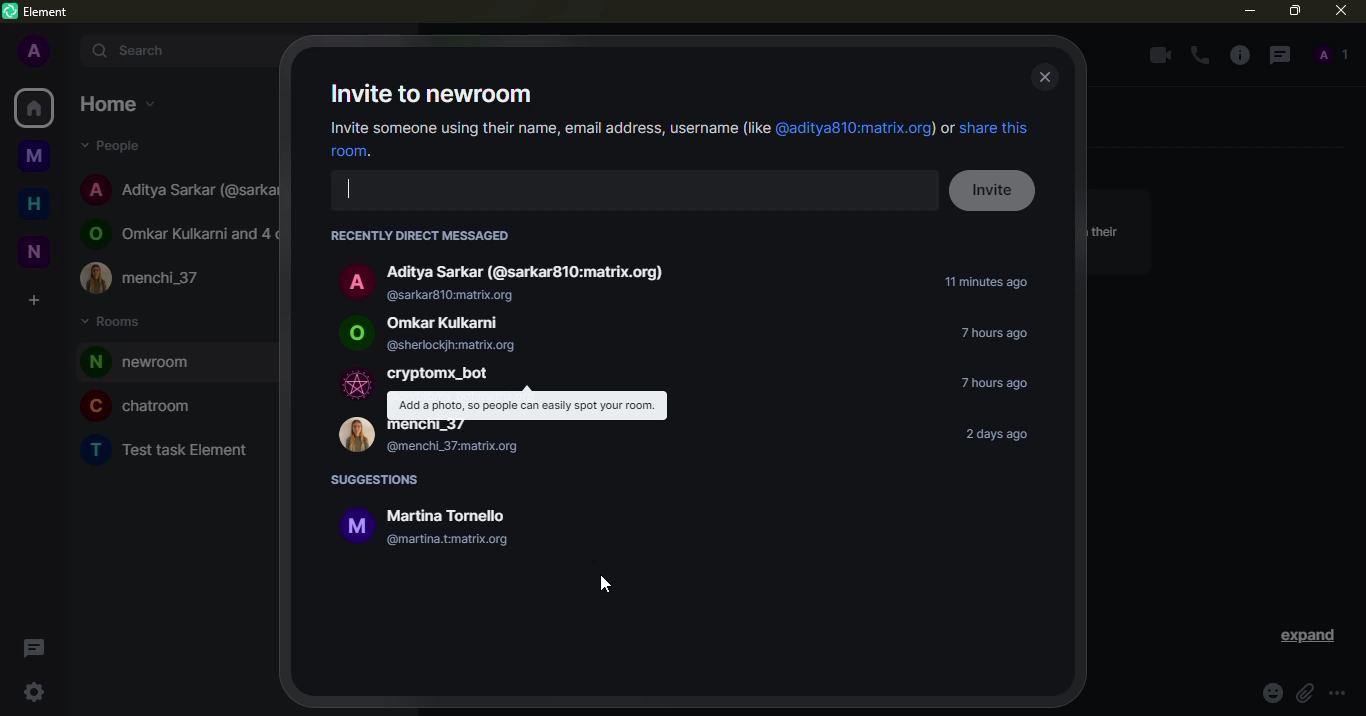 The image size is (1366, 716). Describe the element at coordinates (526, 405) in the screenshot. I see `Add a photo, so people can easily spot your room.` at that location.